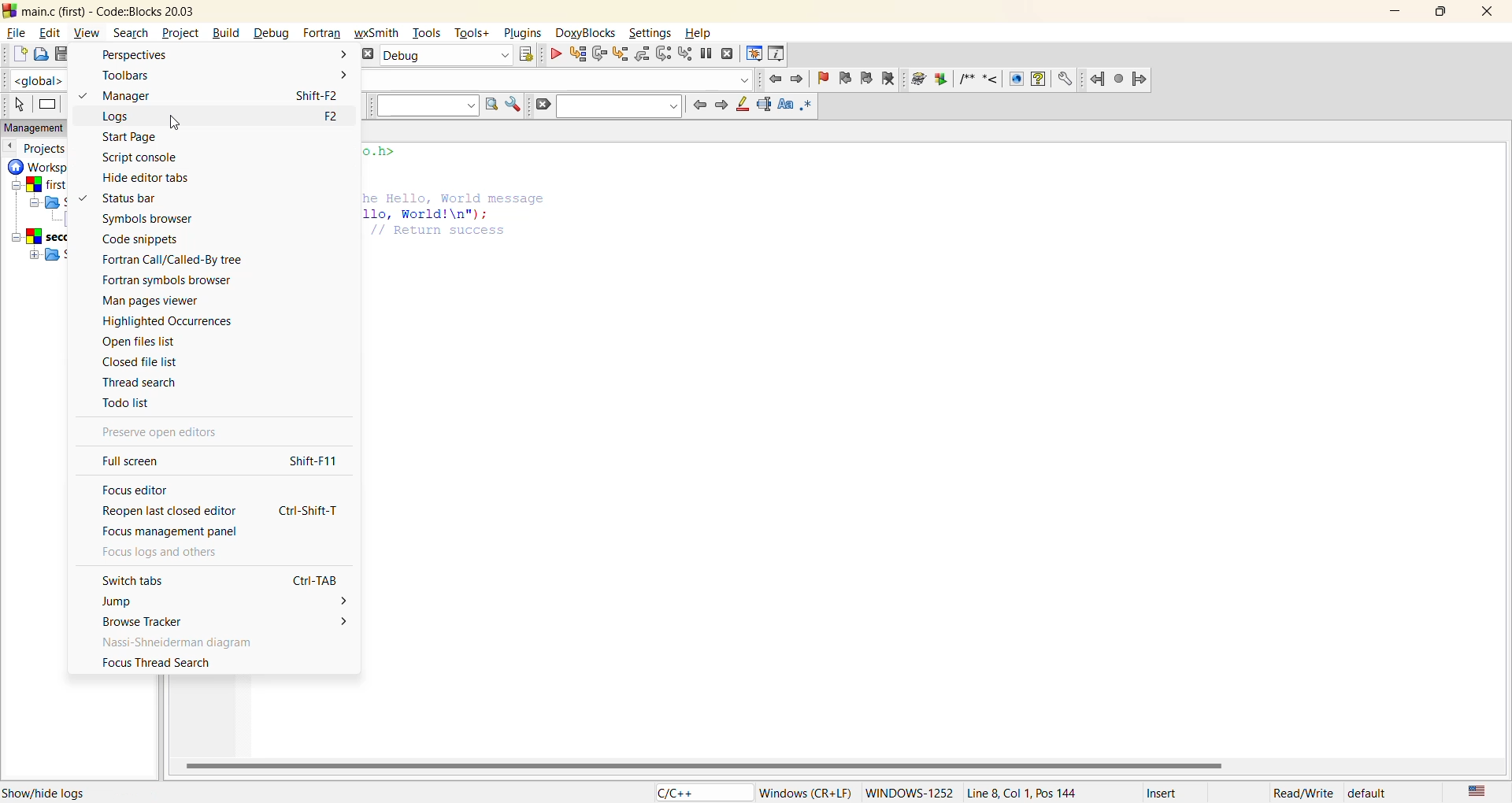 This screenshot has width=1512, height=803. Describe the element at coordinates (142, 488) in the screenshot. I see `focus editor` at that location.